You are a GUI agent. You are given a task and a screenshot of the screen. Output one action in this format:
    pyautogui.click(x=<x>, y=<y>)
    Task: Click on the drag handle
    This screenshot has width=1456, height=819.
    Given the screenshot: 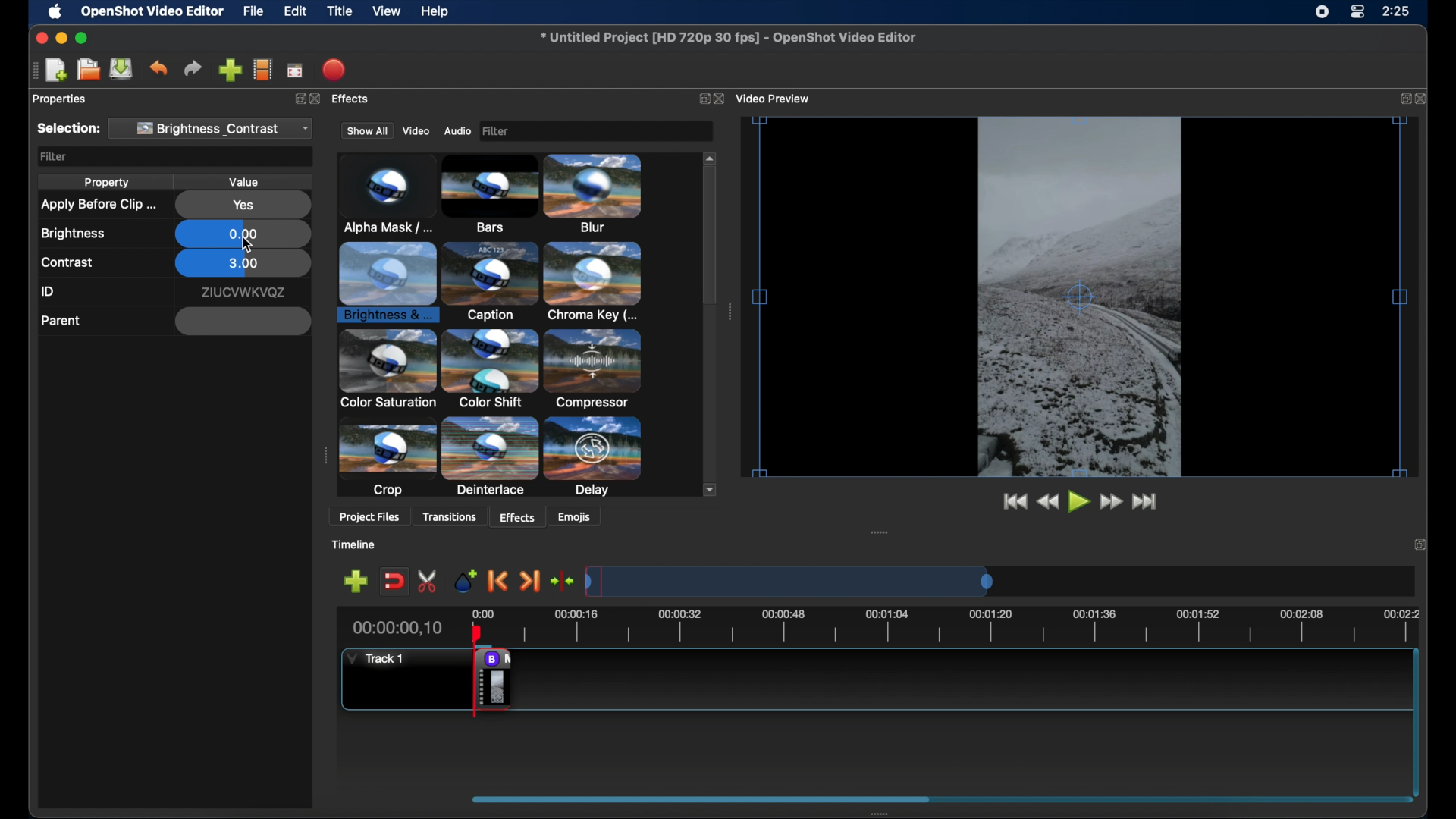 What is the action you would take?
    pyautogui.click(x=33, y=71)
    